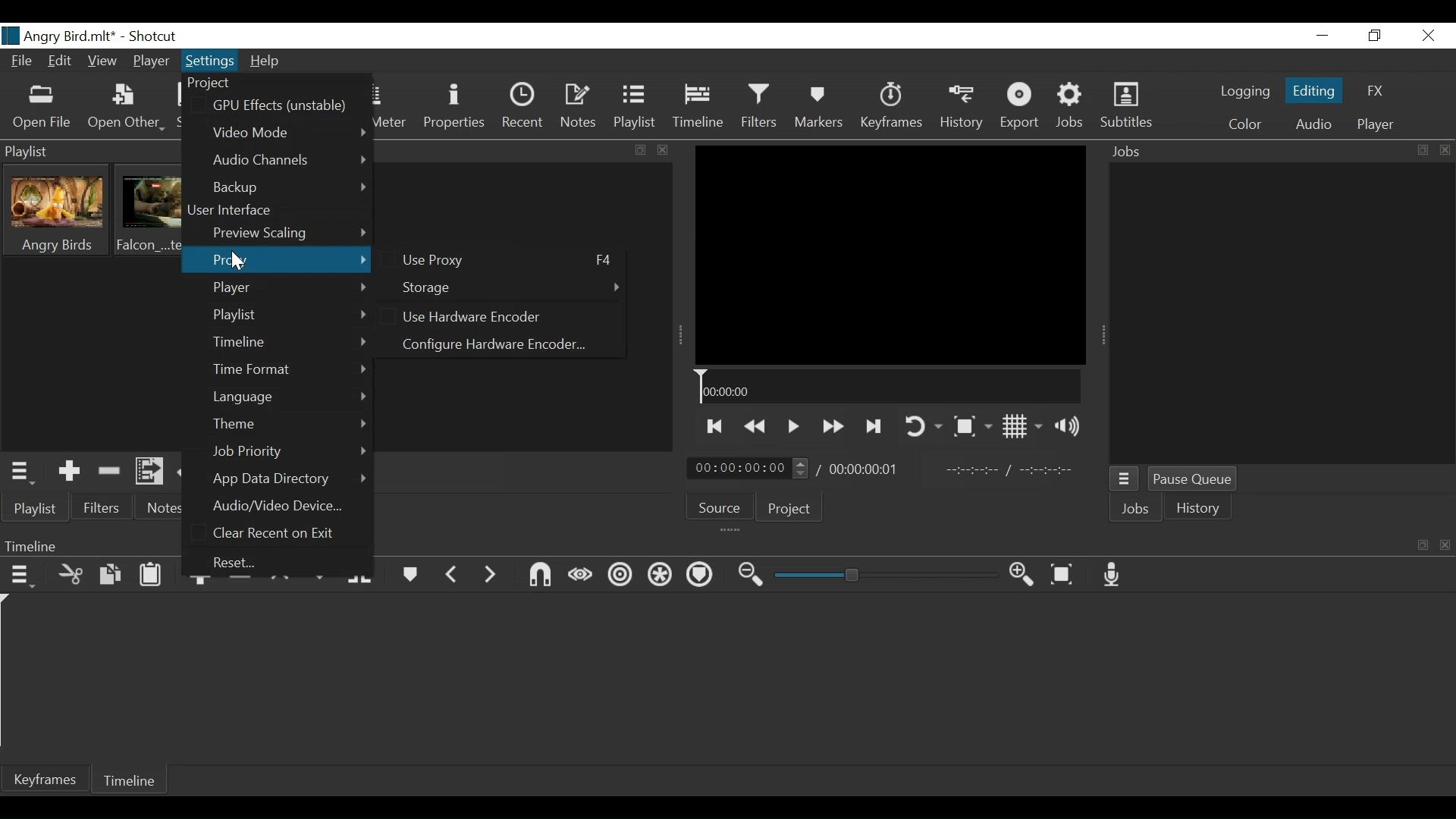 The height and width of the screenshot is (819, 1456). I want to click on Configure Hardware Encoder, so click(497, 344).